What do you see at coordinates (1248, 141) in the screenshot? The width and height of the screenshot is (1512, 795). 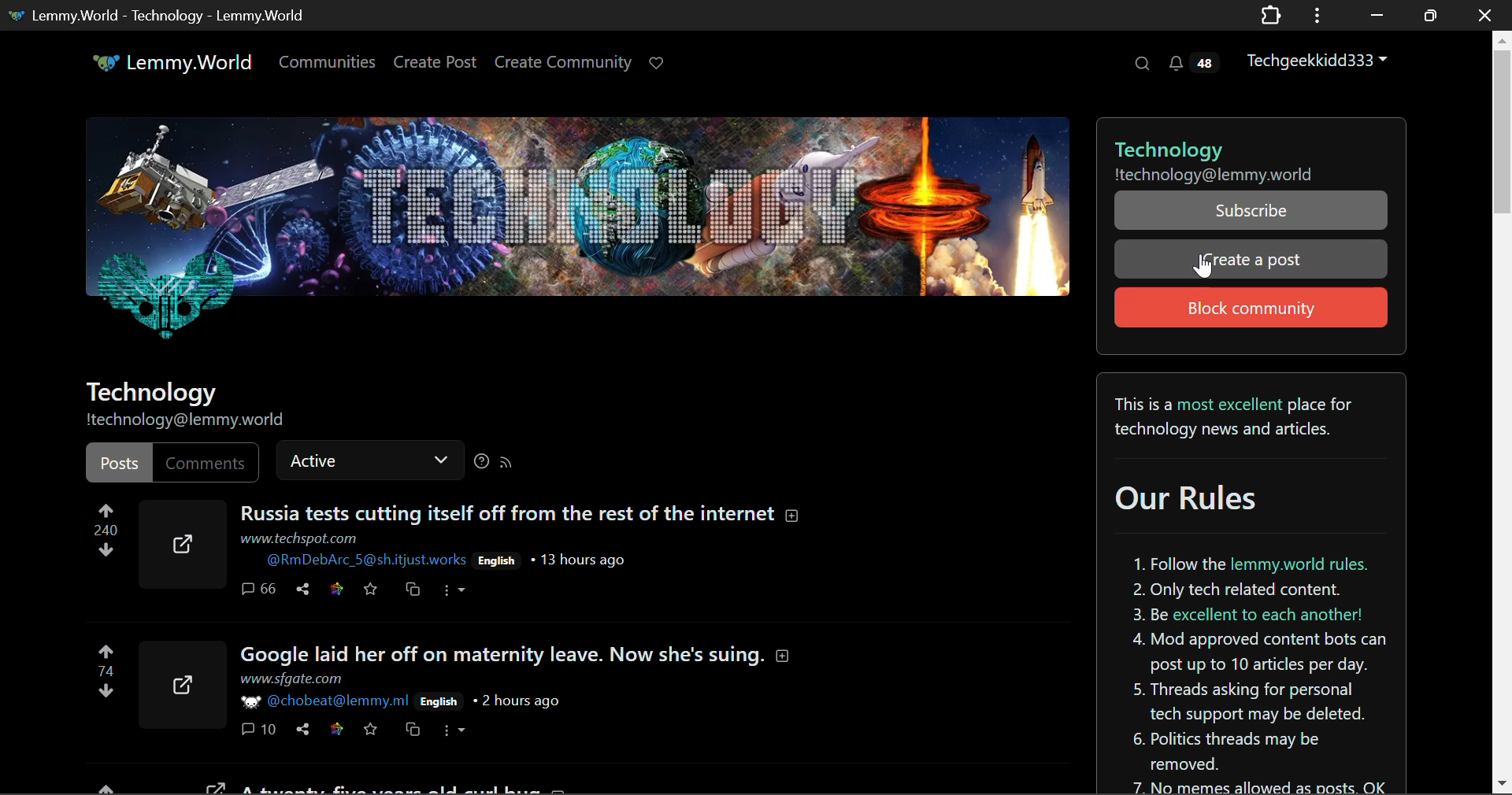 I see `Technology` at bounding box center [1248, 141].